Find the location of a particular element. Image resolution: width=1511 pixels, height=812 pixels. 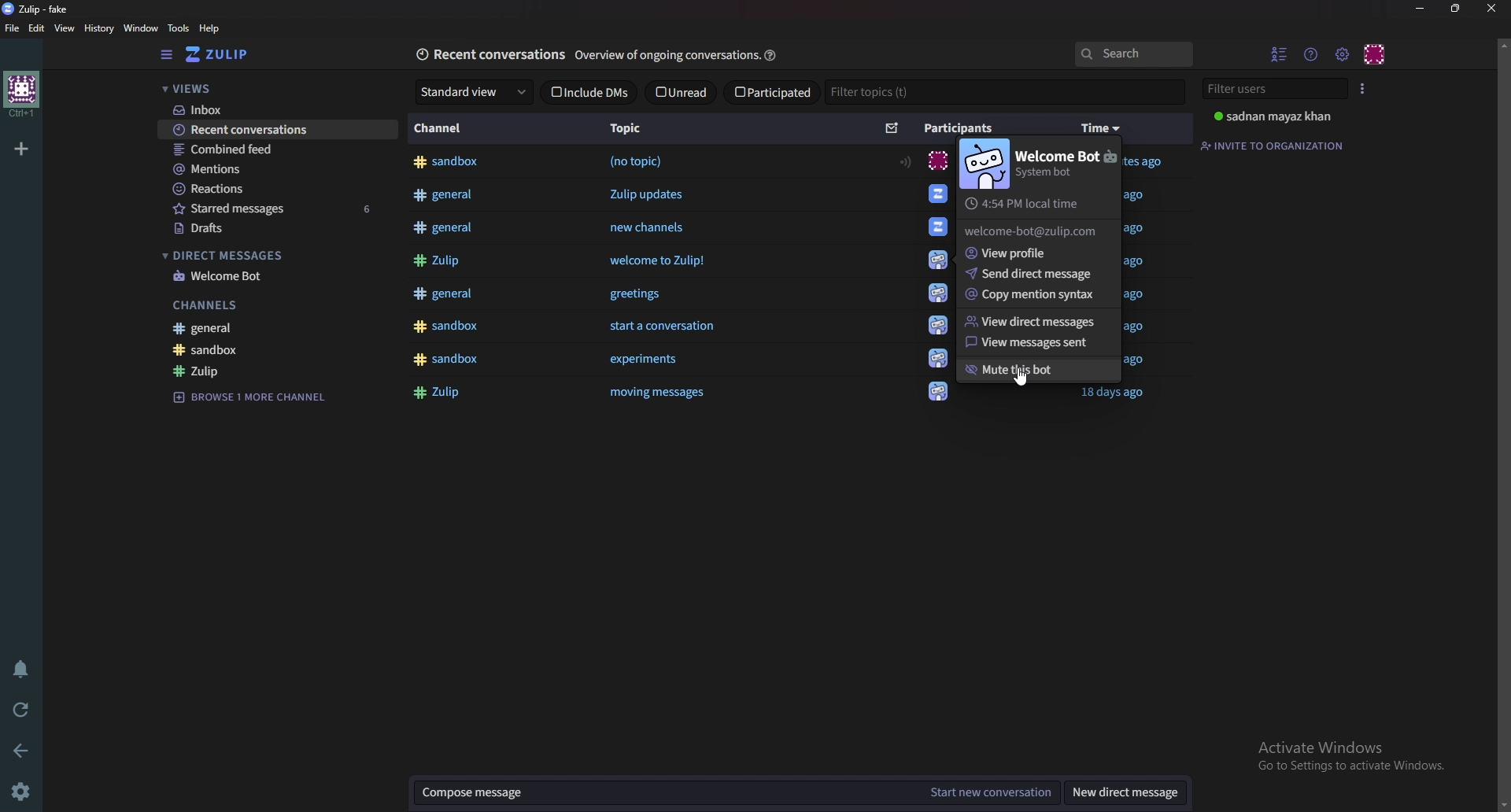

scroll bar is located at coordinates (1502, 423).